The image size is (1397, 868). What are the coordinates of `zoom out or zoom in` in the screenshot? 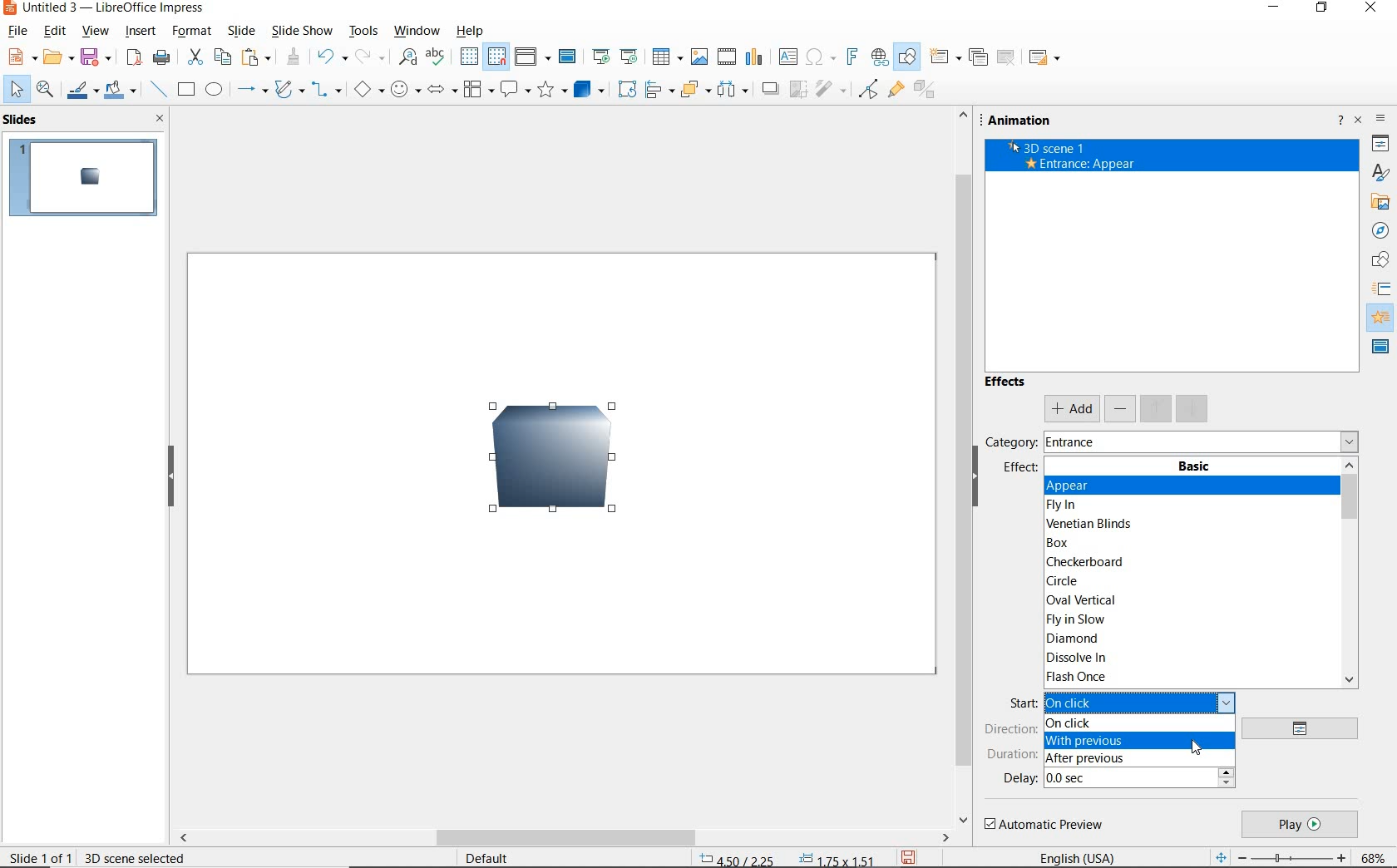 It's located at (1278, 856).